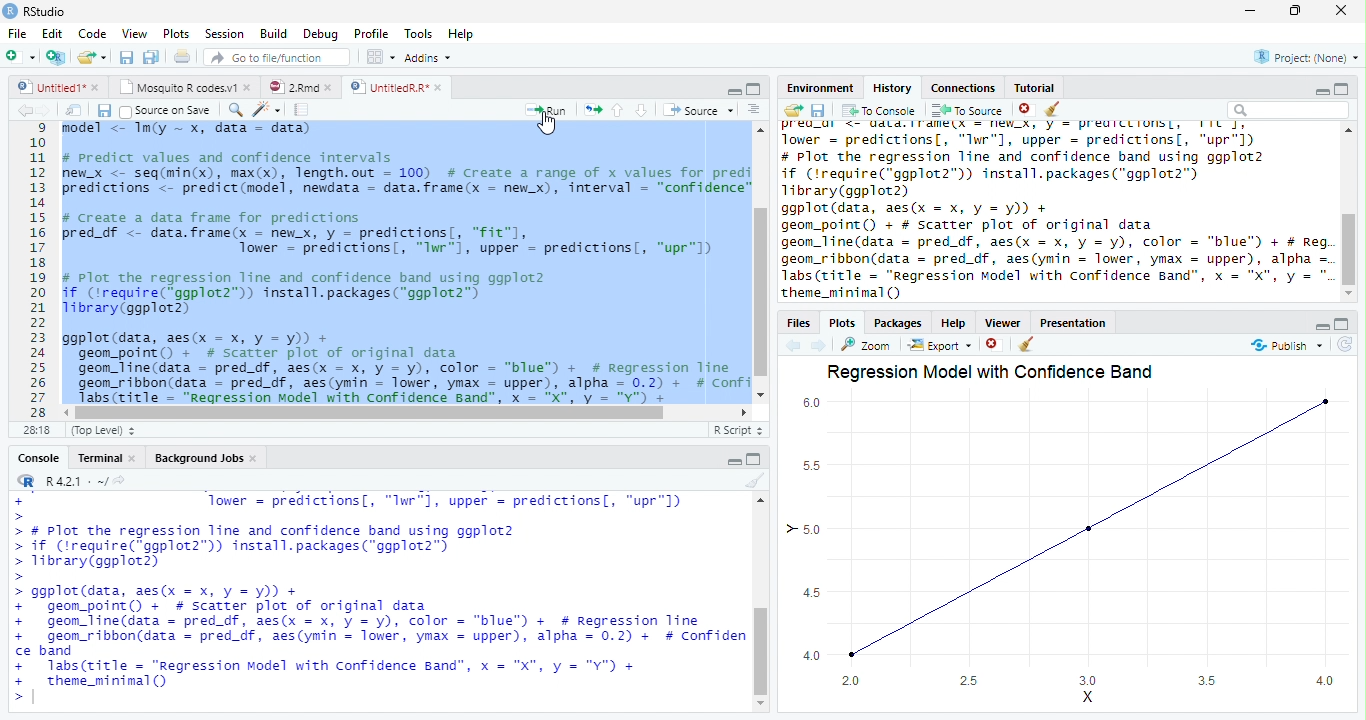 The height and width of the screenshot is (720, 1366). I want to click on Clear Console, so click(1053, 109).